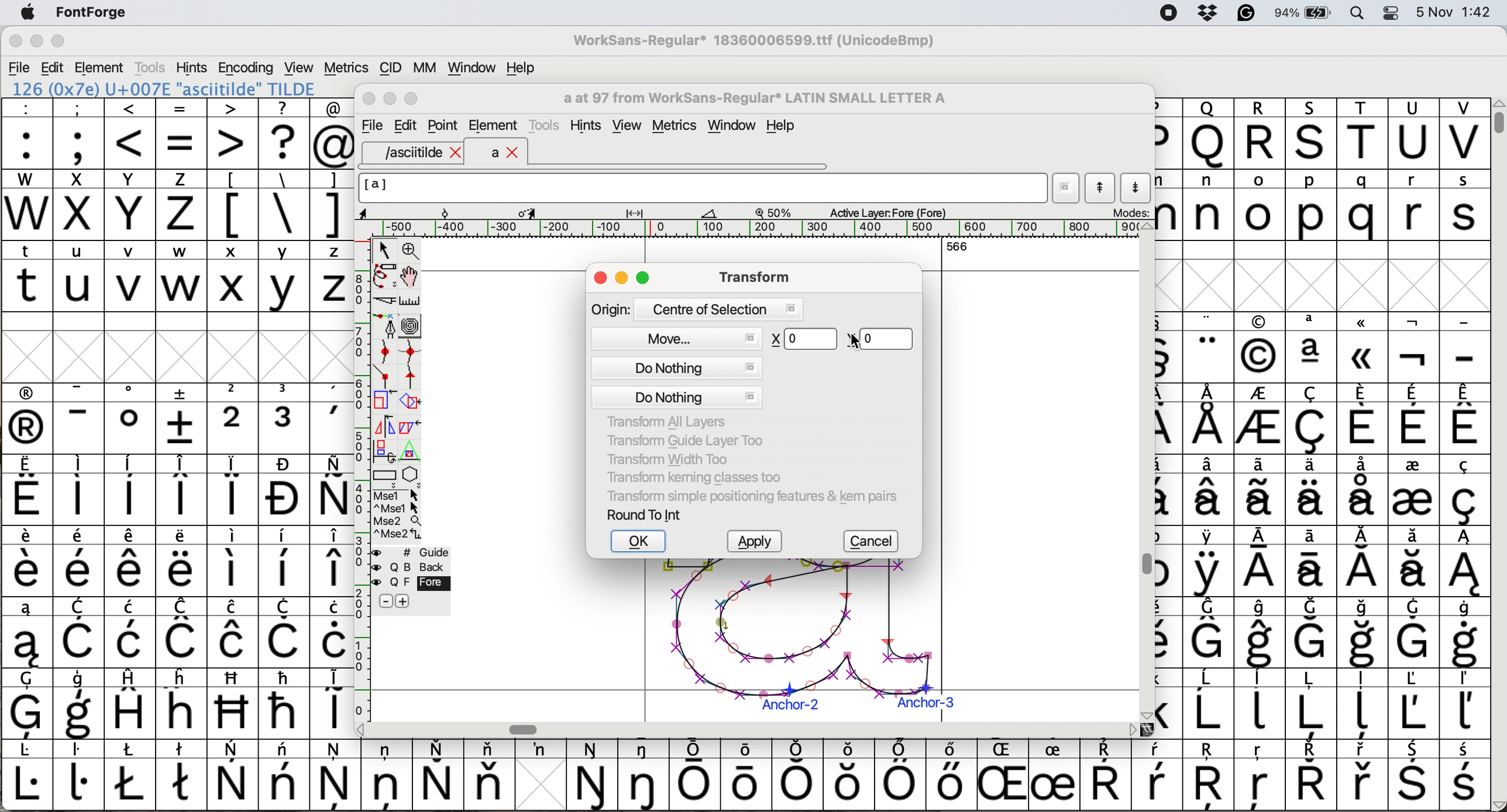  I want to click on file, so click(370, 126).